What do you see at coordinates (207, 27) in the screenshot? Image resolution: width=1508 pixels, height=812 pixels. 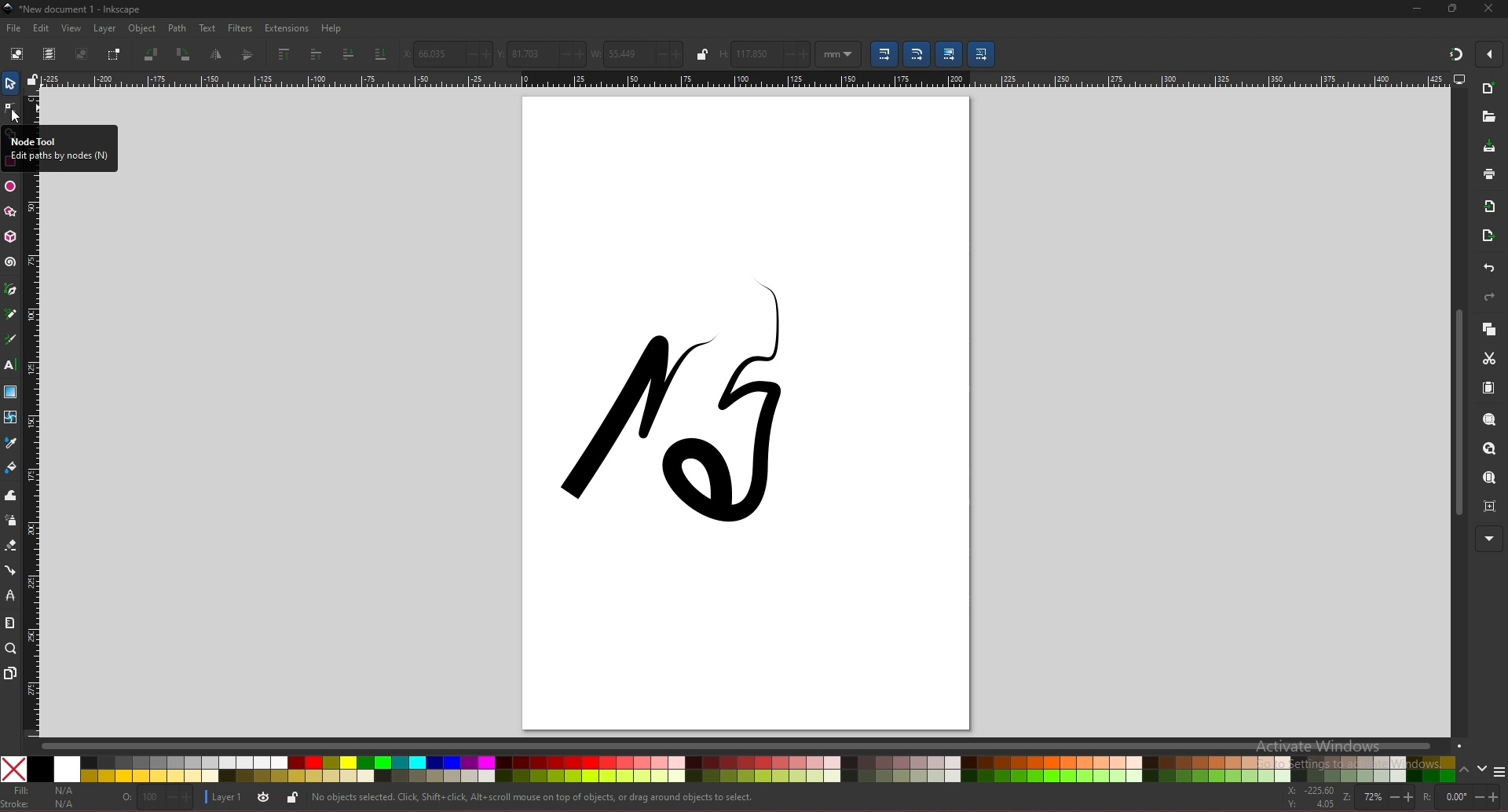 I see `text` at bounding box center [207, 27].